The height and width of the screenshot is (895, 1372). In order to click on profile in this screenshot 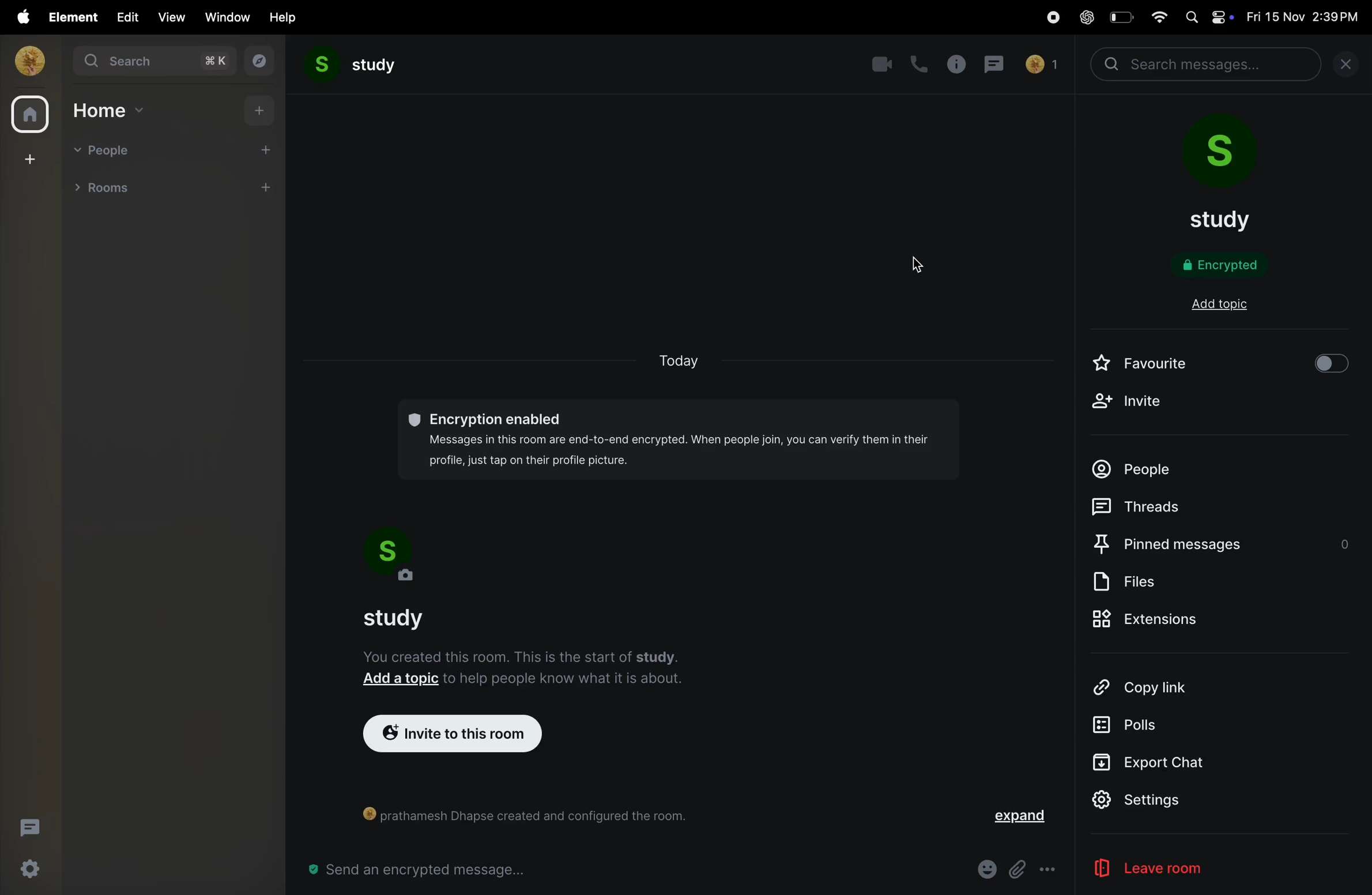, I will do `click(26, 60)`.